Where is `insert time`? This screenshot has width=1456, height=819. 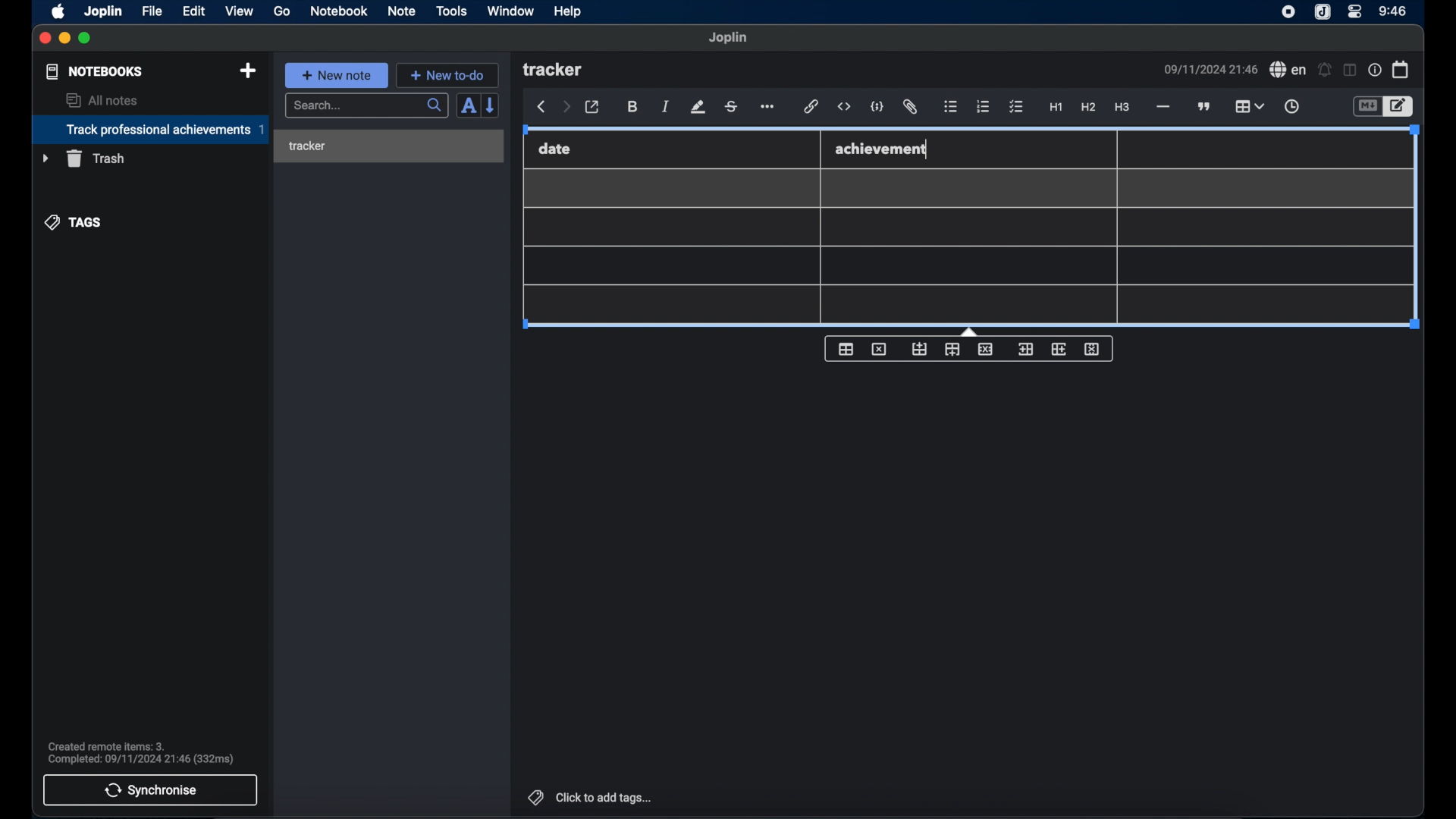 insert time is located at coordinates (1291, 107).